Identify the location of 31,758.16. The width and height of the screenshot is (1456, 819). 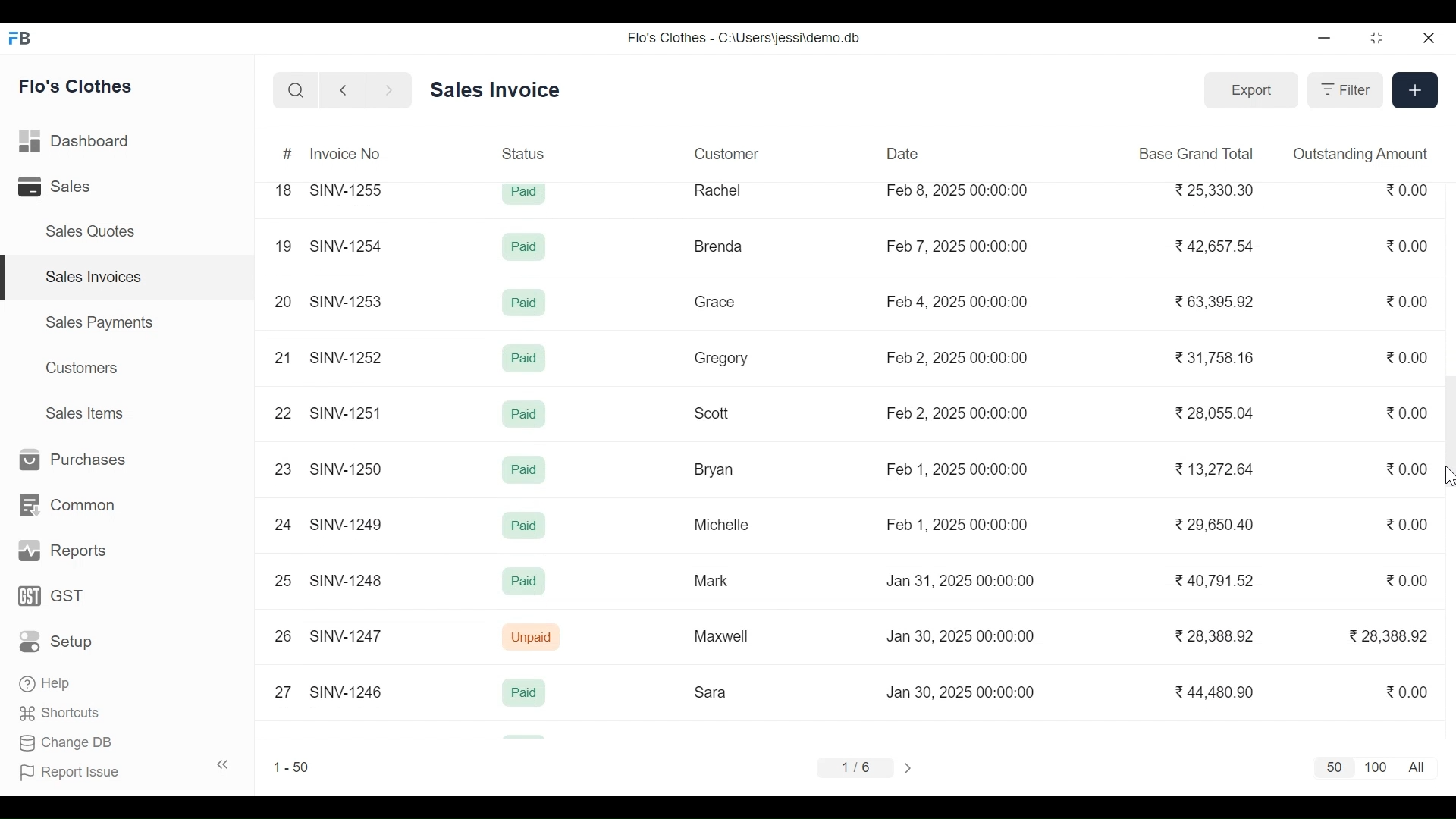
(1216, 357).